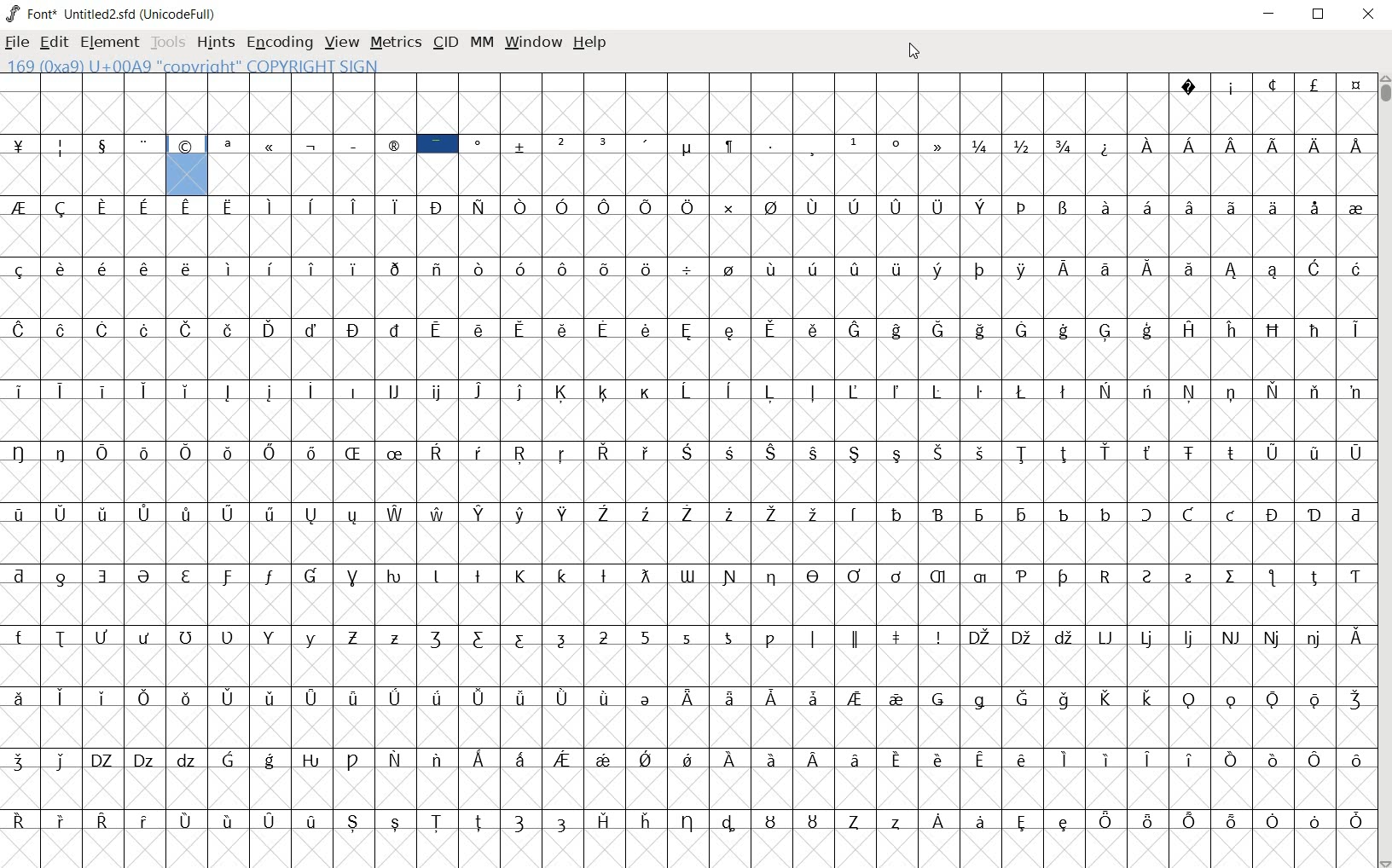  Describe the element at coordinates (188, 163) in the screenshot. I see `169 (0x9a) U+00A9 "copyright" COPYRIGHT SIGN` at that location.